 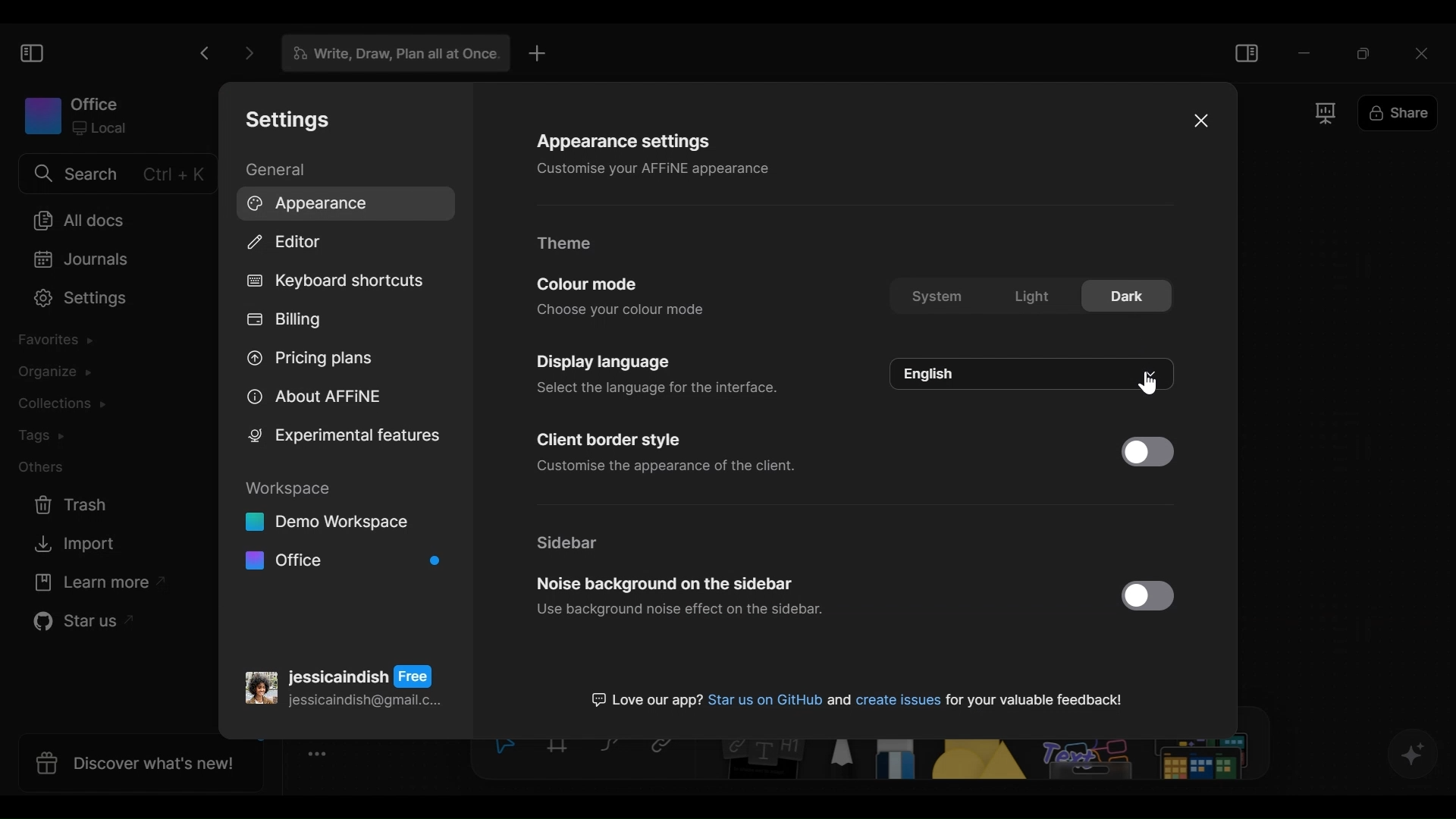 I want to click on Enable/Disable, so click(x=1148, y=595).